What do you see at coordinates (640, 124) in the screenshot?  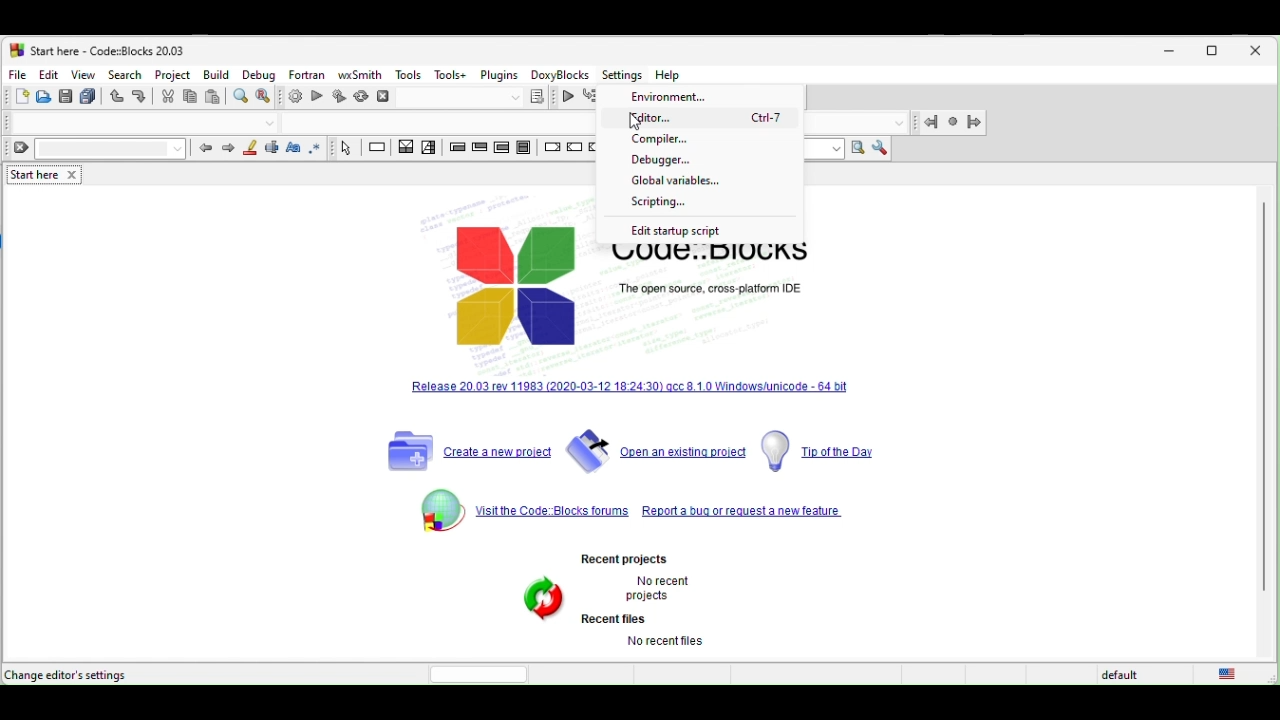 I see `cursor movement` at bounding box center [640, 124].